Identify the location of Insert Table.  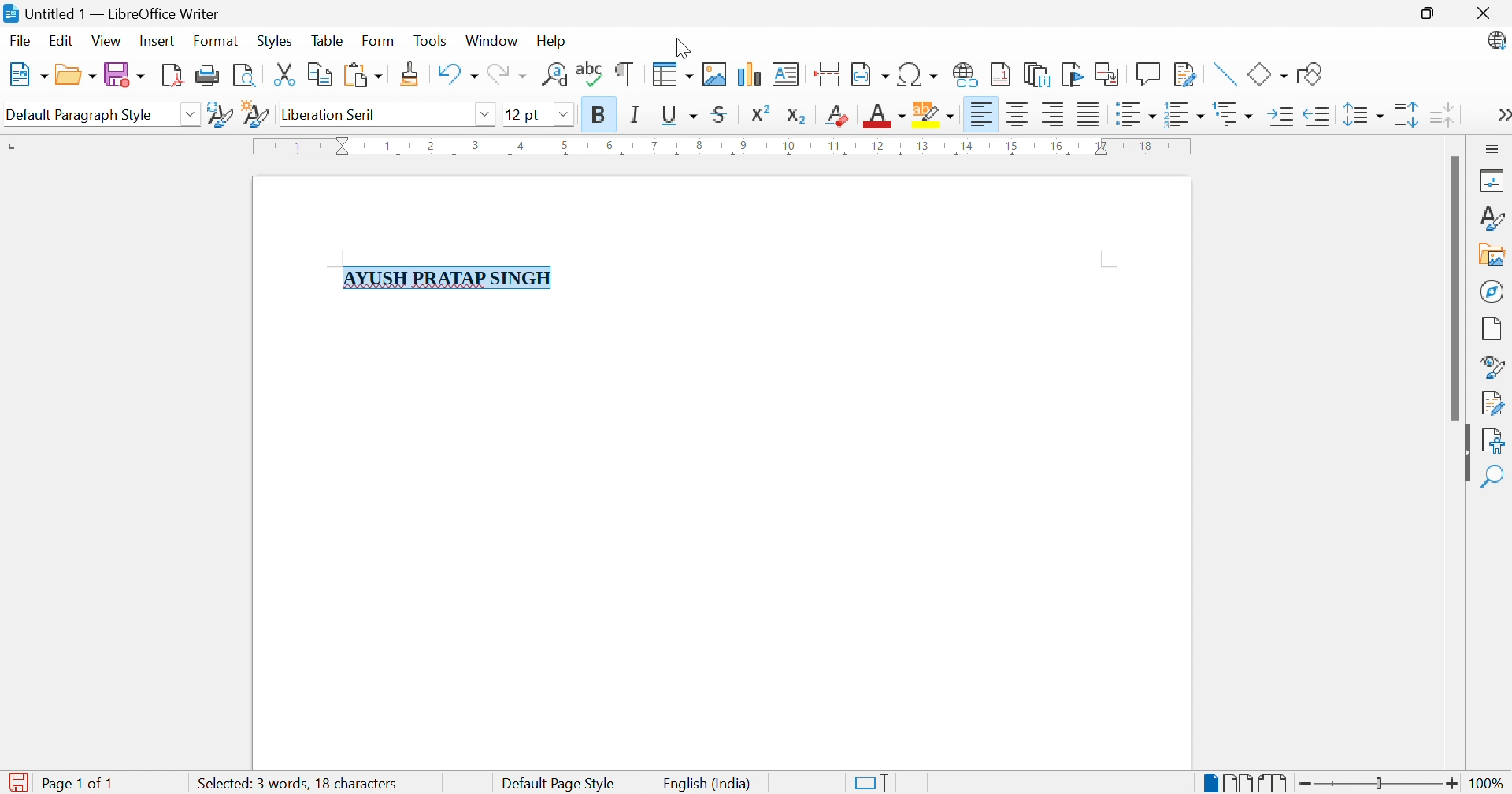
(673, 76).